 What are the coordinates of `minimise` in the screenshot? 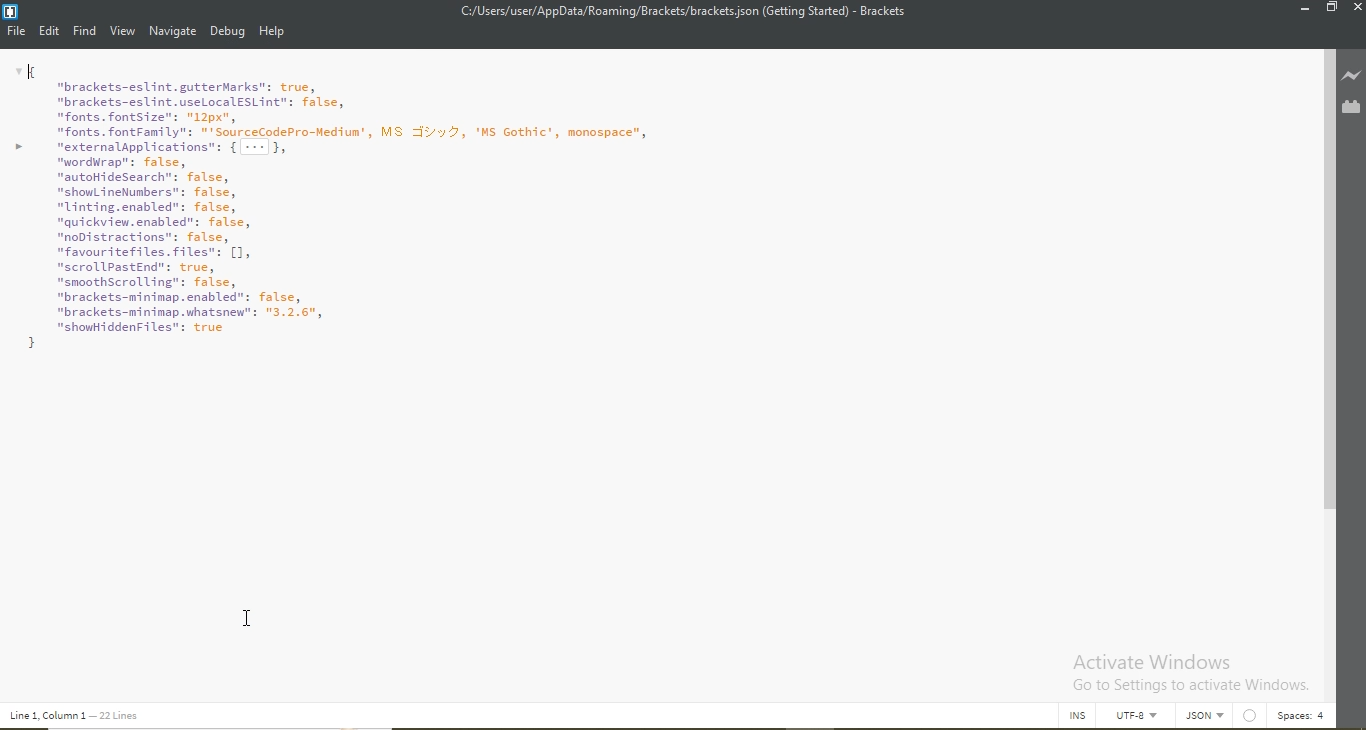 It's located at (1302, 9).